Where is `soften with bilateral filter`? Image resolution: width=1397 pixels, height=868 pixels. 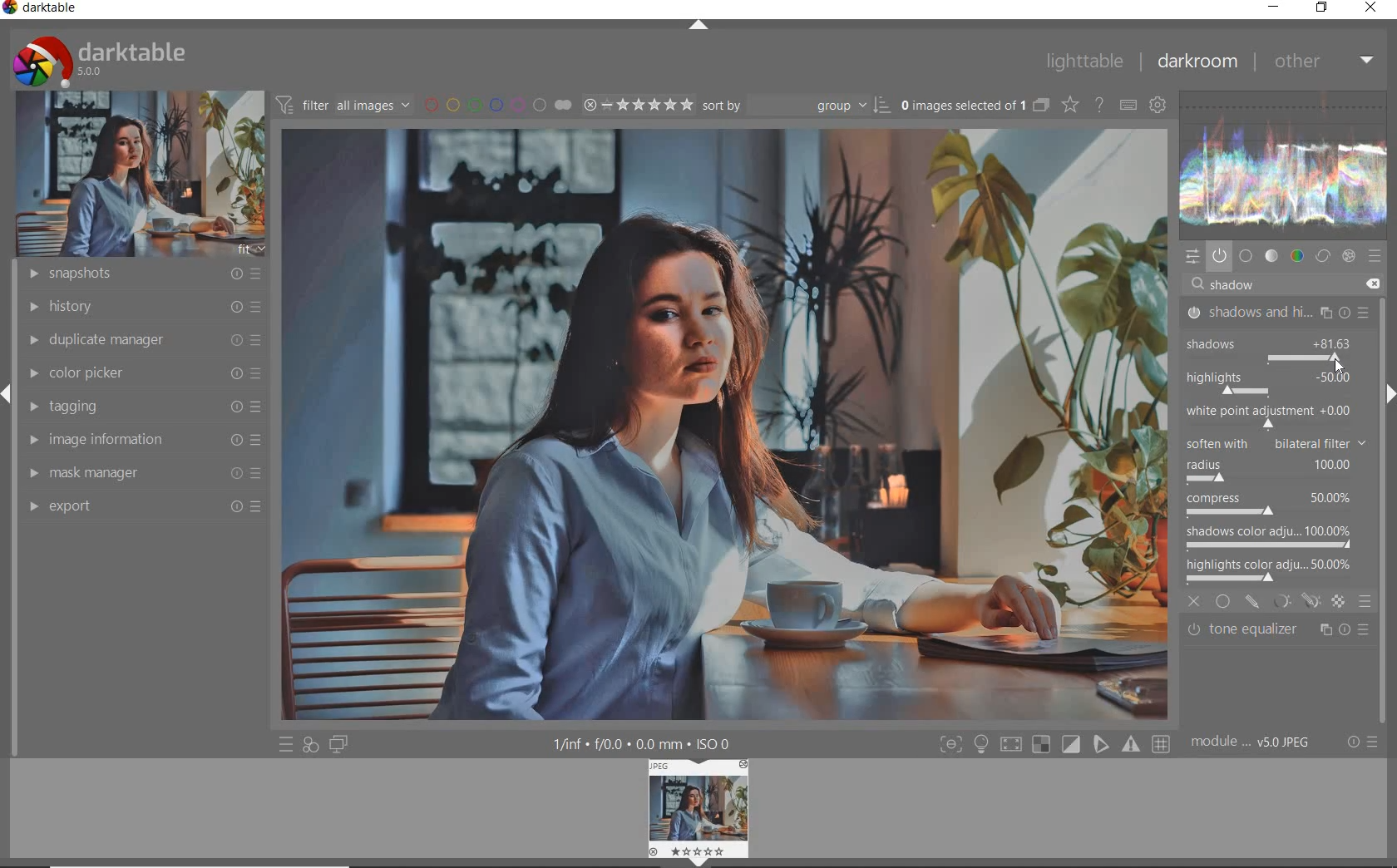 soften with bilateral filter is located at coordinates (1275, 441).